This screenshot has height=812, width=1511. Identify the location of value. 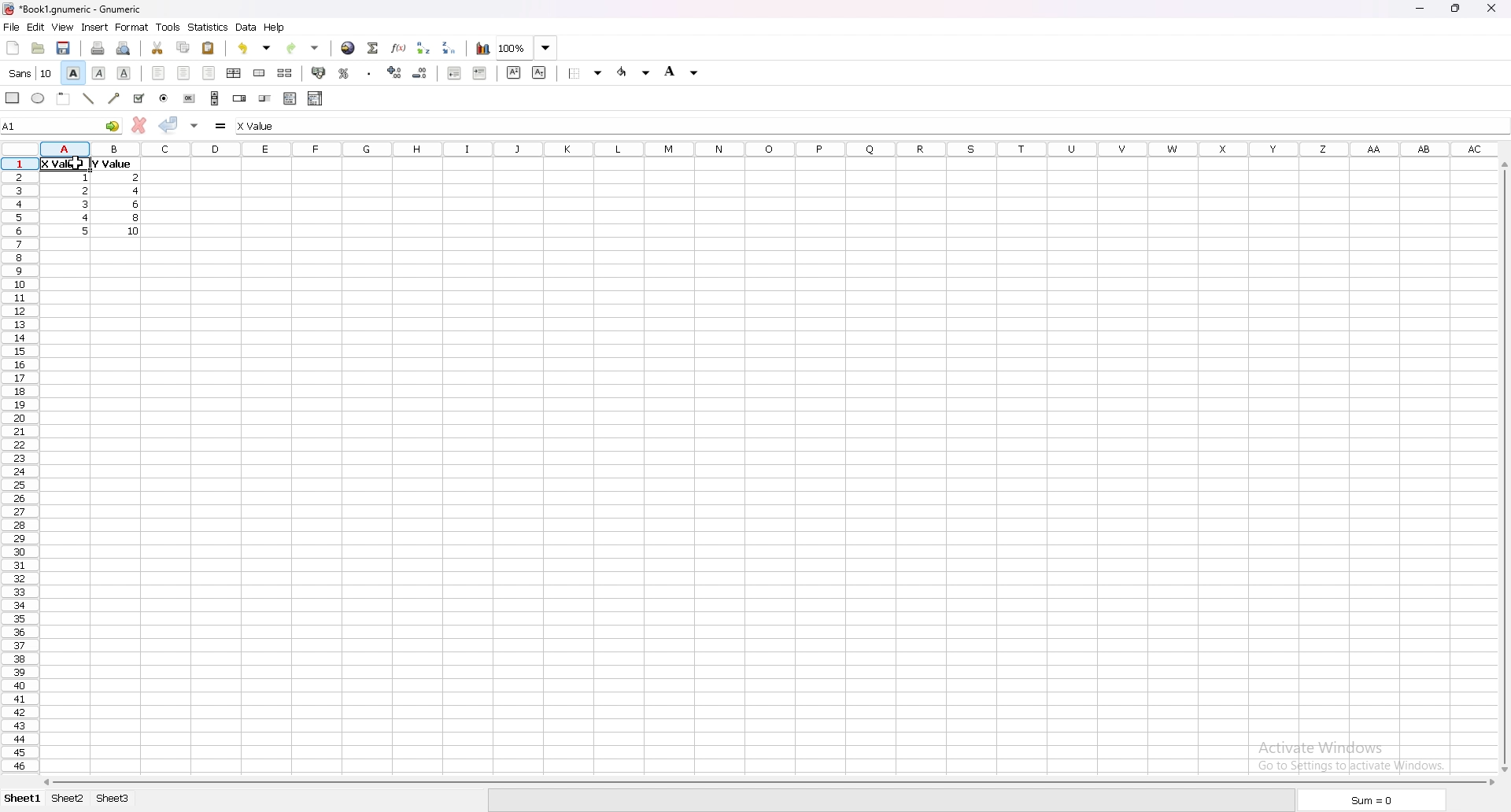
(140, 191).